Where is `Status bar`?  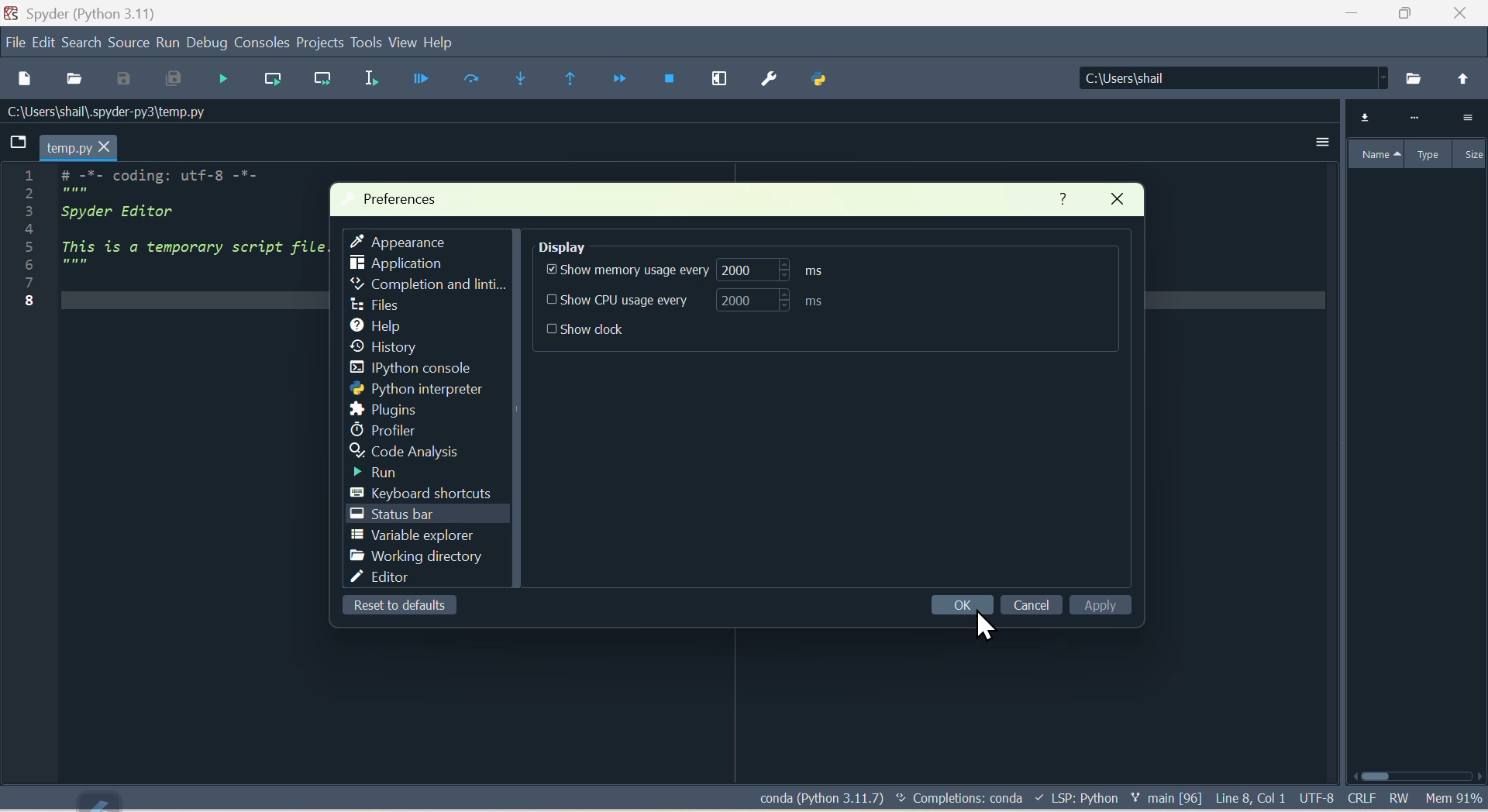 Status bar is located at coordinates (386, 515).